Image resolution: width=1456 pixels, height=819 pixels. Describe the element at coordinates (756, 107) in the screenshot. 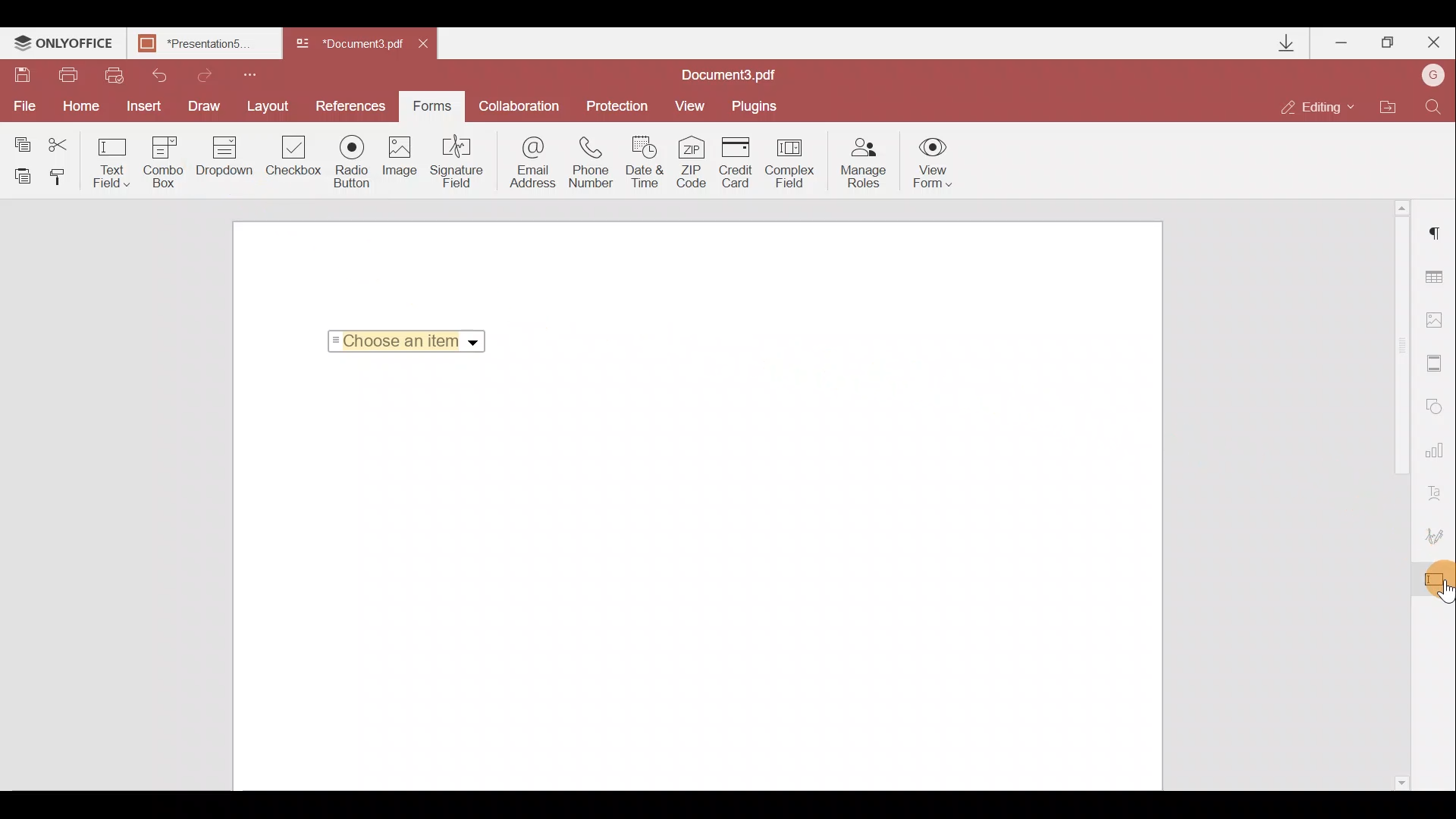

I see `Plugins` at that location.